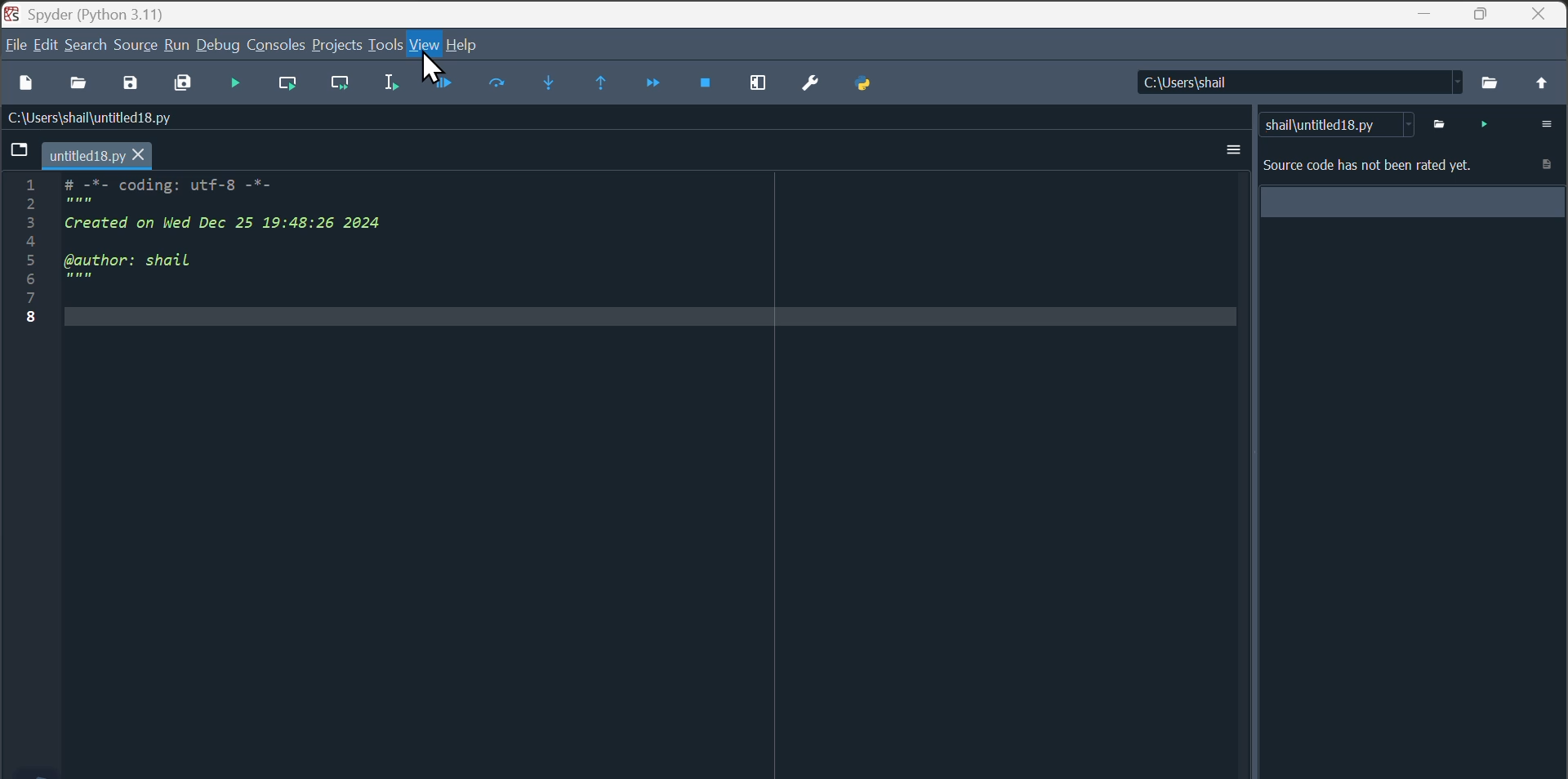 This screenshot has height=779, width=1568. Describe the element at coordinates (136, 85) in the screenshot. I see `save` at that location.